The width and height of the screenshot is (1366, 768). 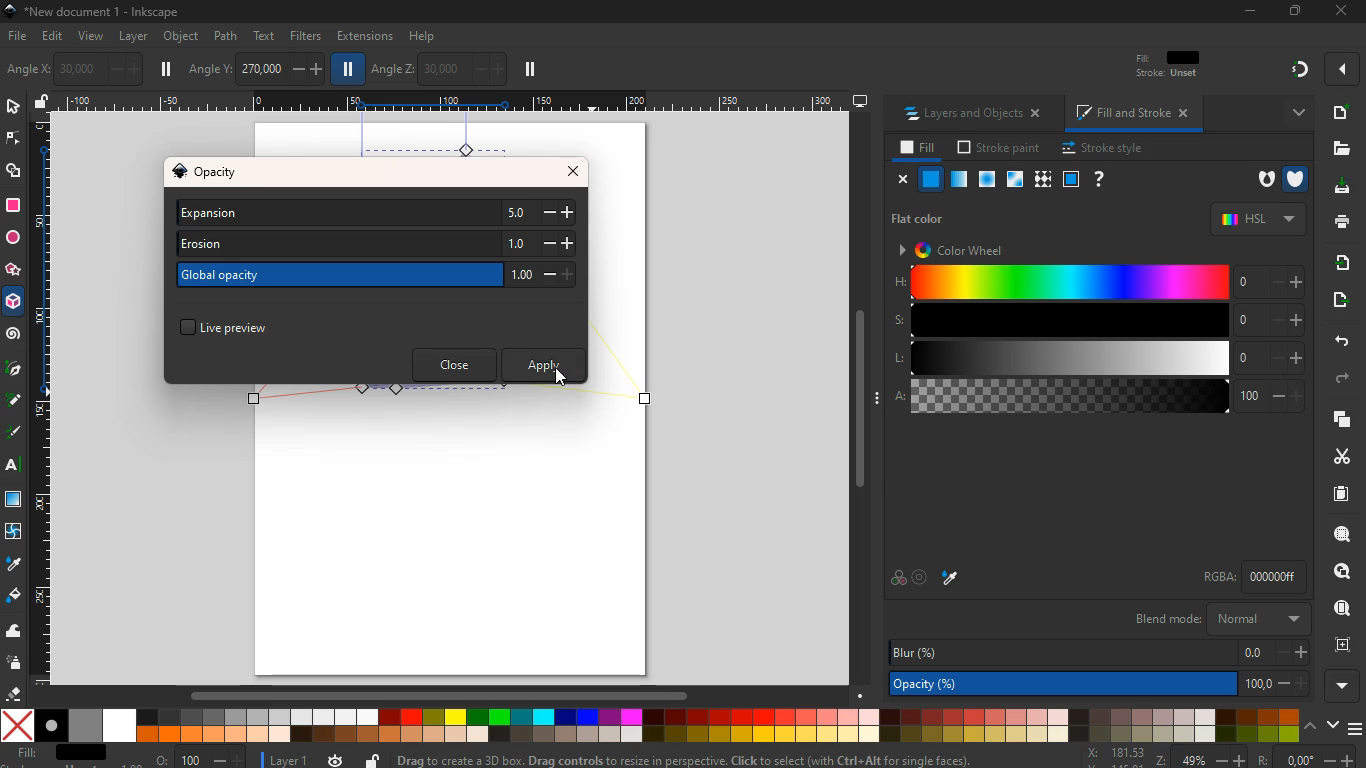 I want to click on Scale, so click(x=43, y=400).